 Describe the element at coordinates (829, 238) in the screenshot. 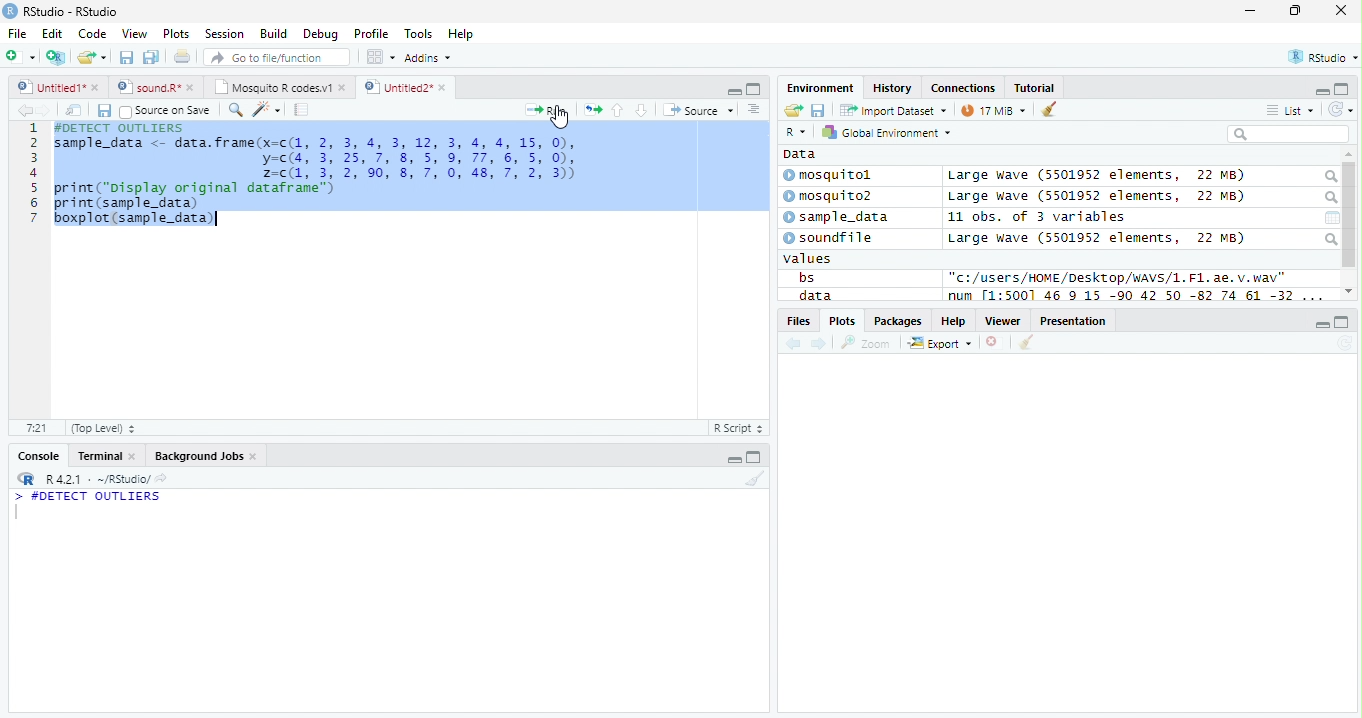

I see `soundfile` at that location.